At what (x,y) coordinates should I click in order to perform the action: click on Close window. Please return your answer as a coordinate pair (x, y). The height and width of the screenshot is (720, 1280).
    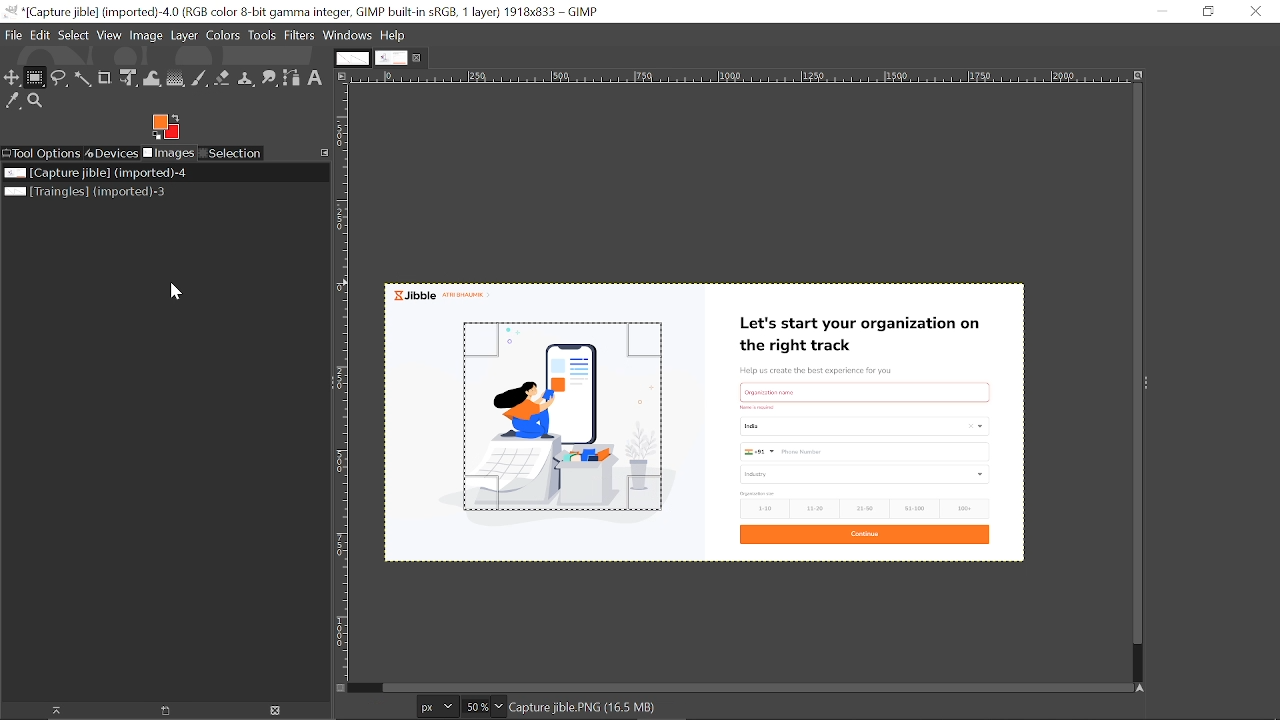
    Looking at the image, I should click on (1257, 11).